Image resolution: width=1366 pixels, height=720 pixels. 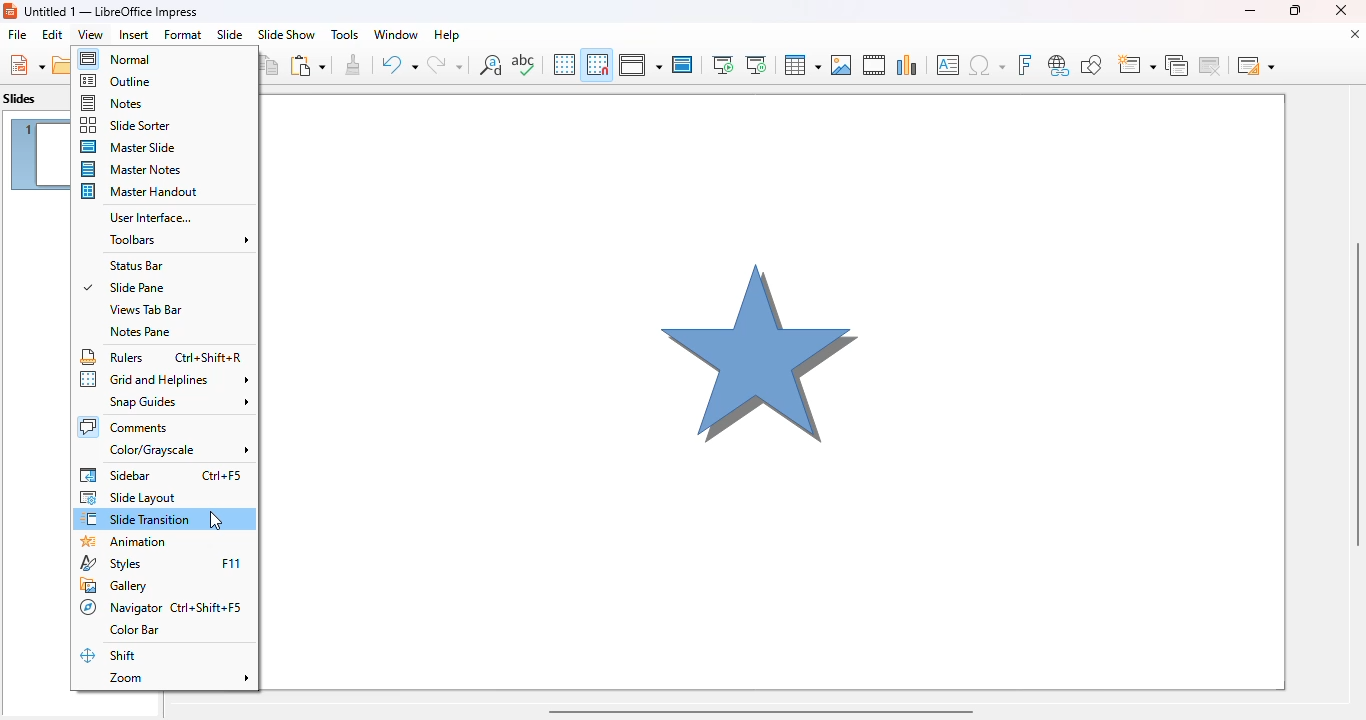 What do you see at coordinates (179, 678) in the screenshot?
I see `zoom` at bounding box center [179, 678].